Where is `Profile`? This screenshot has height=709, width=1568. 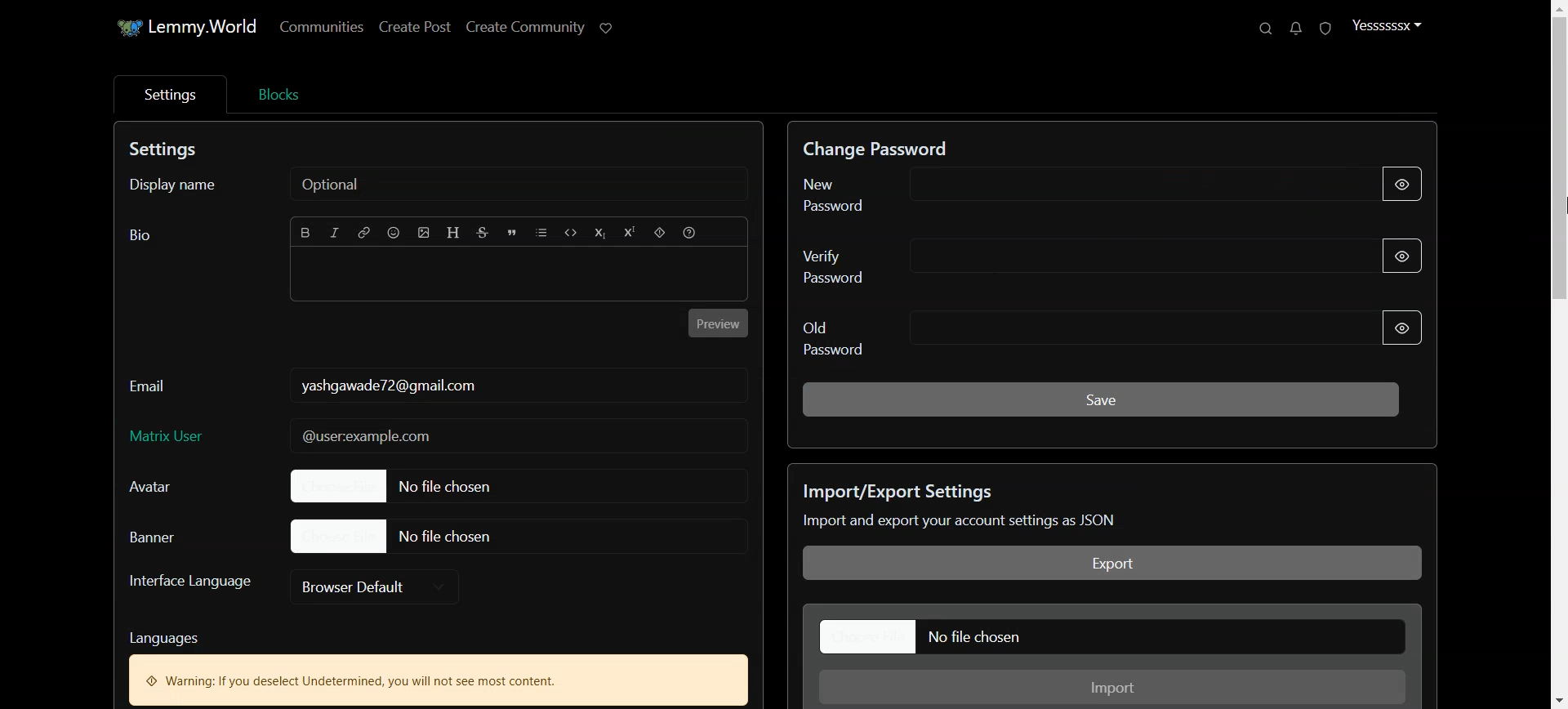
Profile is located at coordinates (1390, 27).